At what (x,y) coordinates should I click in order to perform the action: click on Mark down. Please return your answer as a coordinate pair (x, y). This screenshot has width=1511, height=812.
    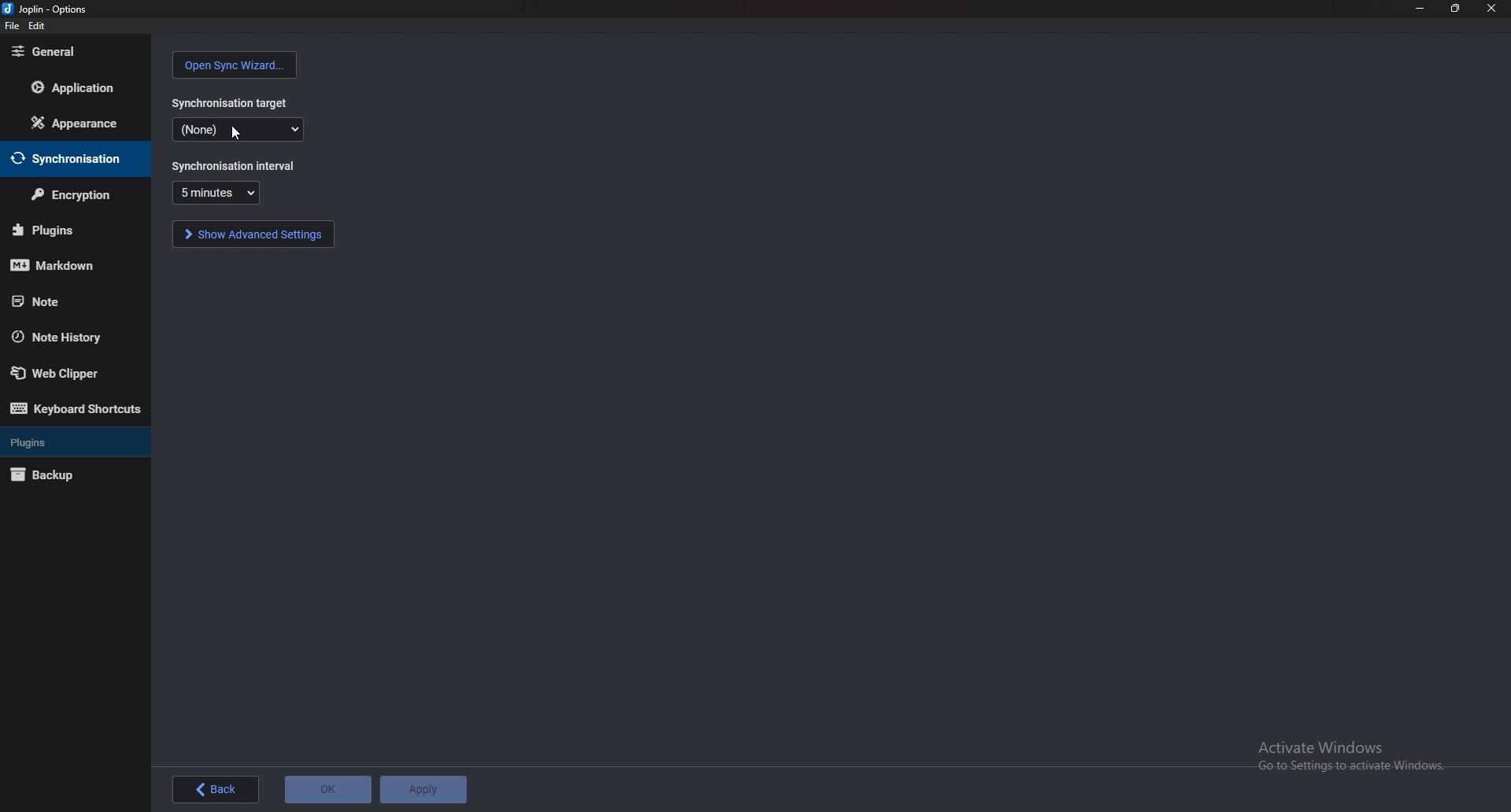
    Looking at the image, I should click on (71, 264).